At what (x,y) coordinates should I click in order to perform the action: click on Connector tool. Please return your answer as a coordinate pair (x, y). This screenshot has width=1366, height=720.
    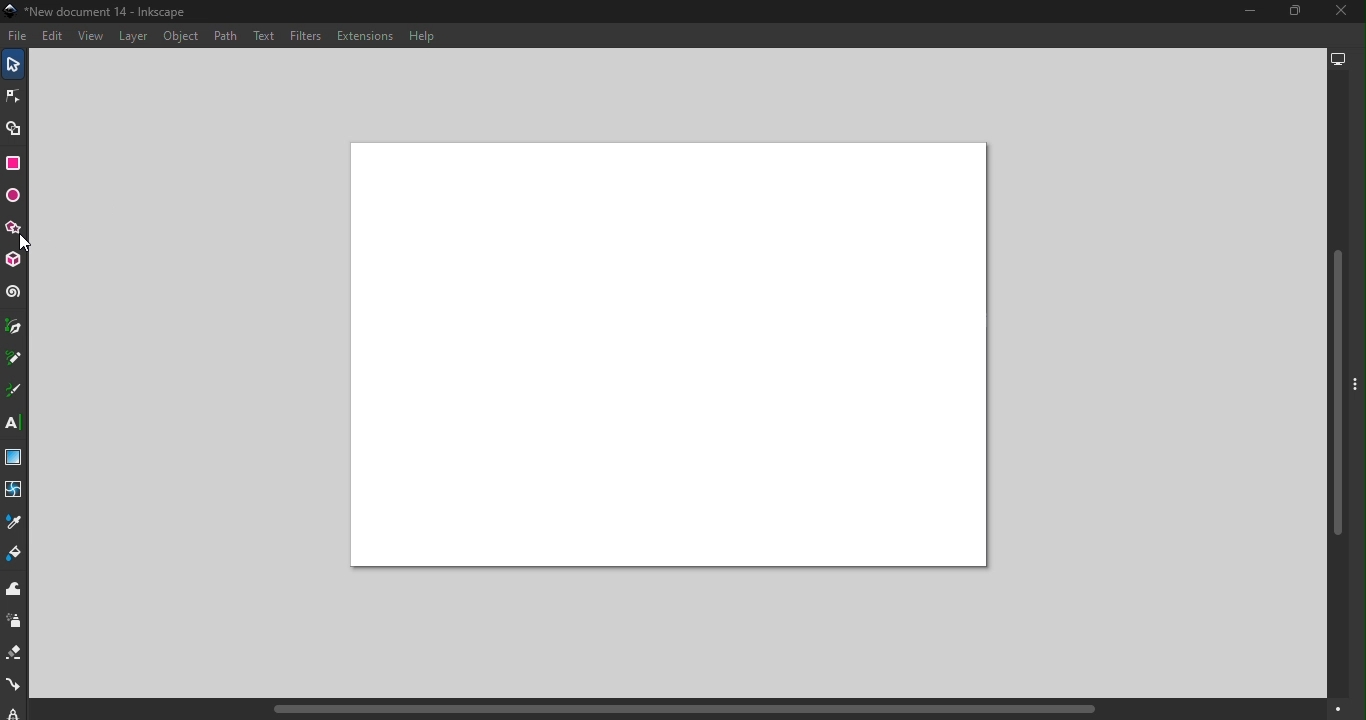
    Looking at the image, I should click on (14, 685).